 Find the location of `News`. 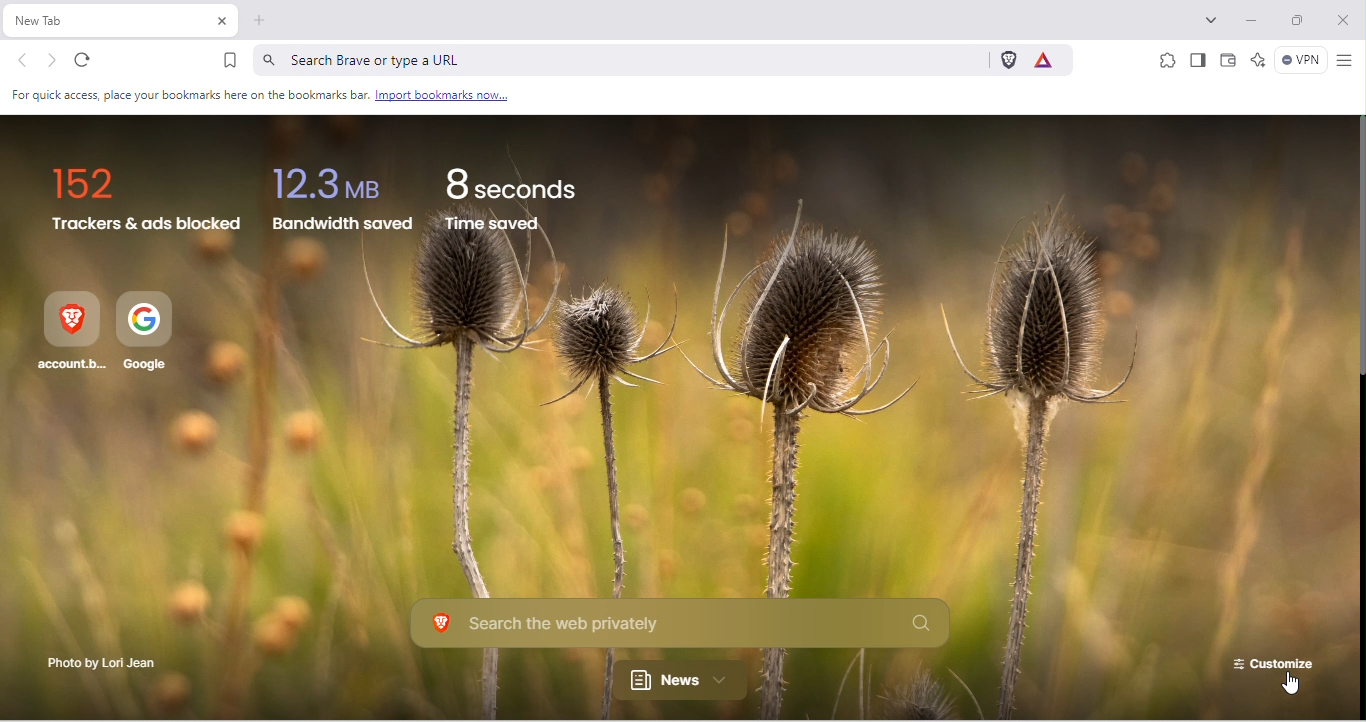

News is located at coordinates (689, 681).